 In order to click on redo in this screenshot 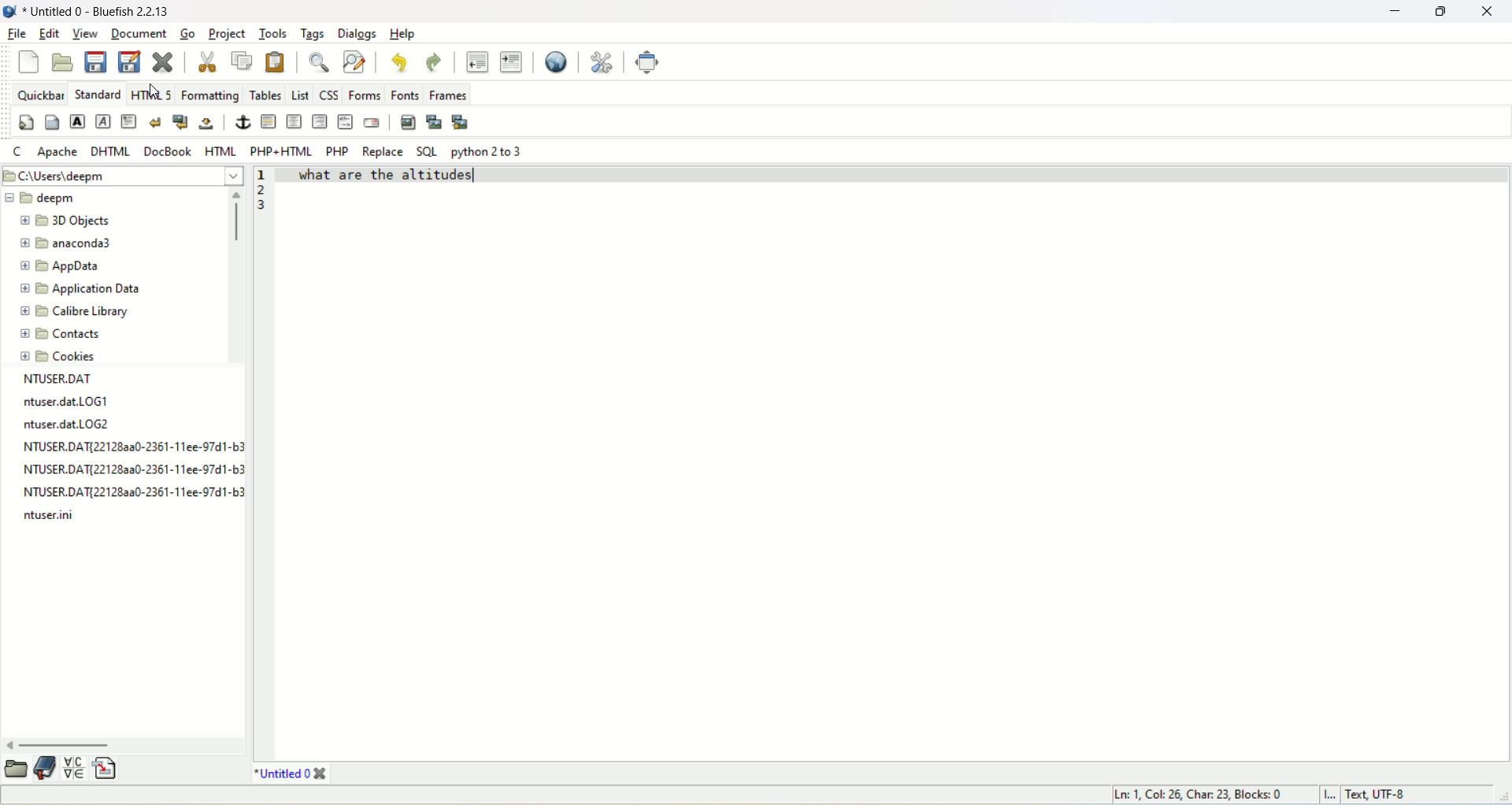, I will do `click(435, 63)`.